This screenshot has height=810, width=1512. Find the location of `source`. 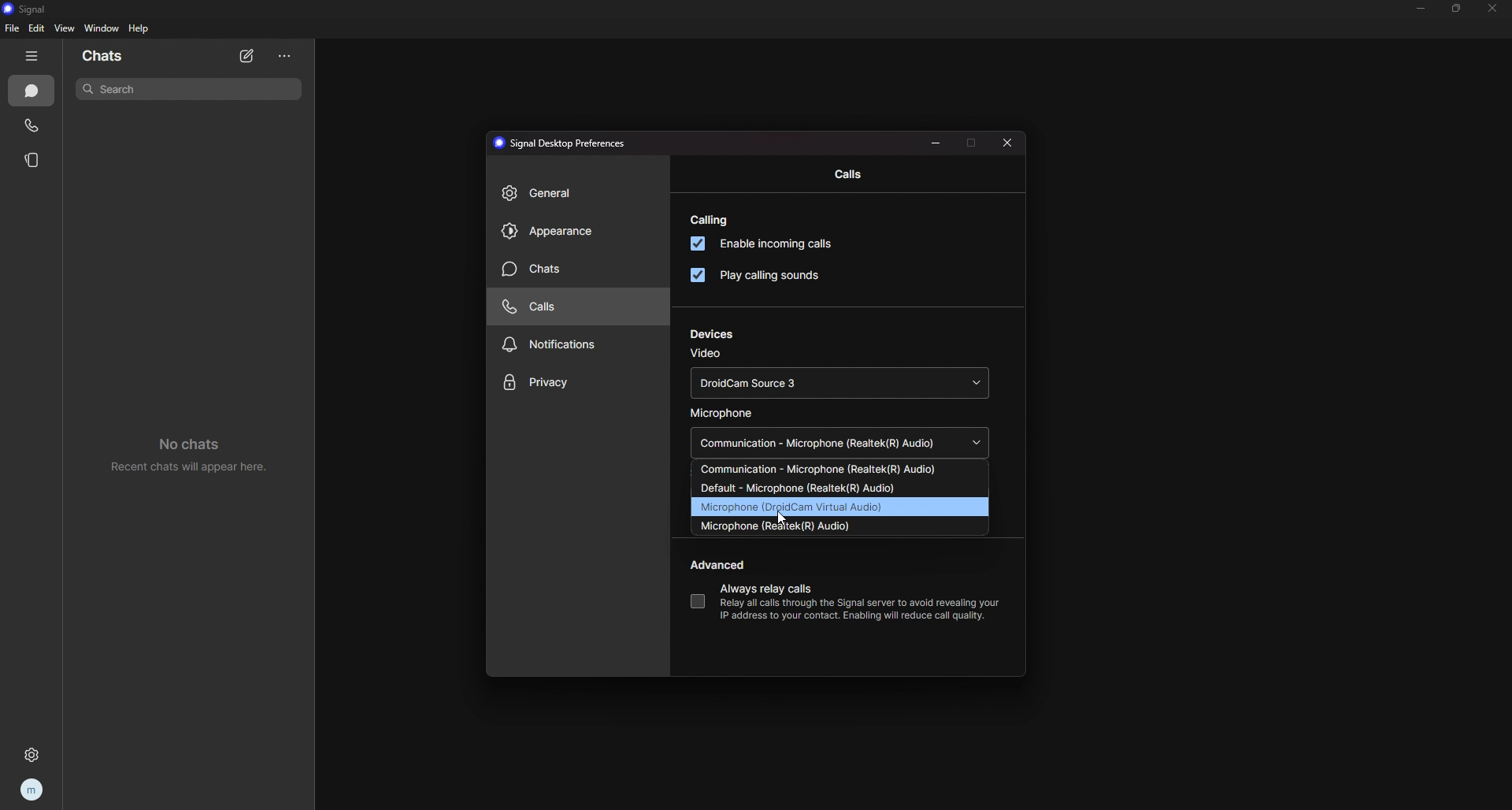

source is located at coordinates (837, 527).